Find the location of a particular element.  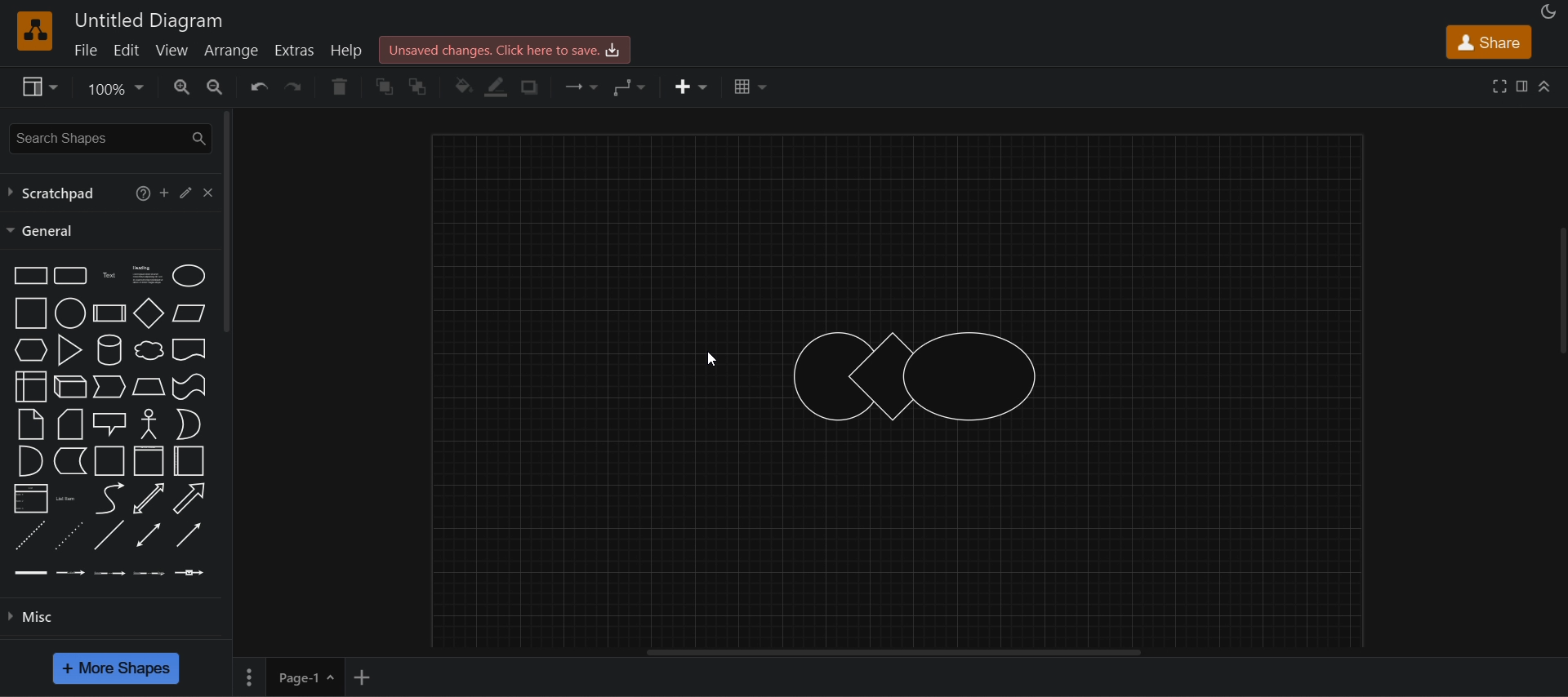

collapse/expand  is located at coordinates (1546, 85).